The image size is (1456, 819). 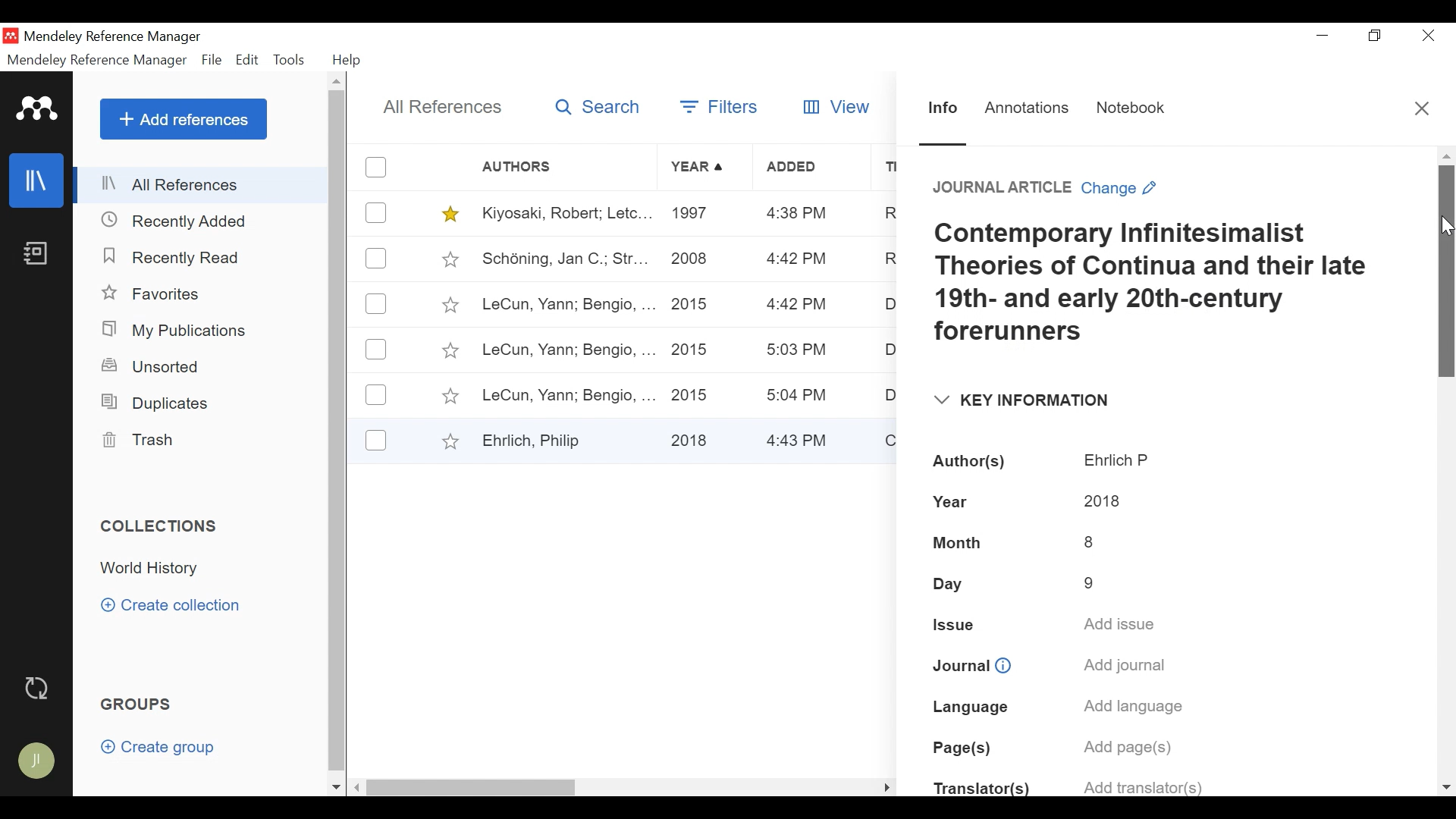 What do you see at coordinates (1447, 155) in the screenshot?
I see `Scroll up` at bounding box center [1447, 155].